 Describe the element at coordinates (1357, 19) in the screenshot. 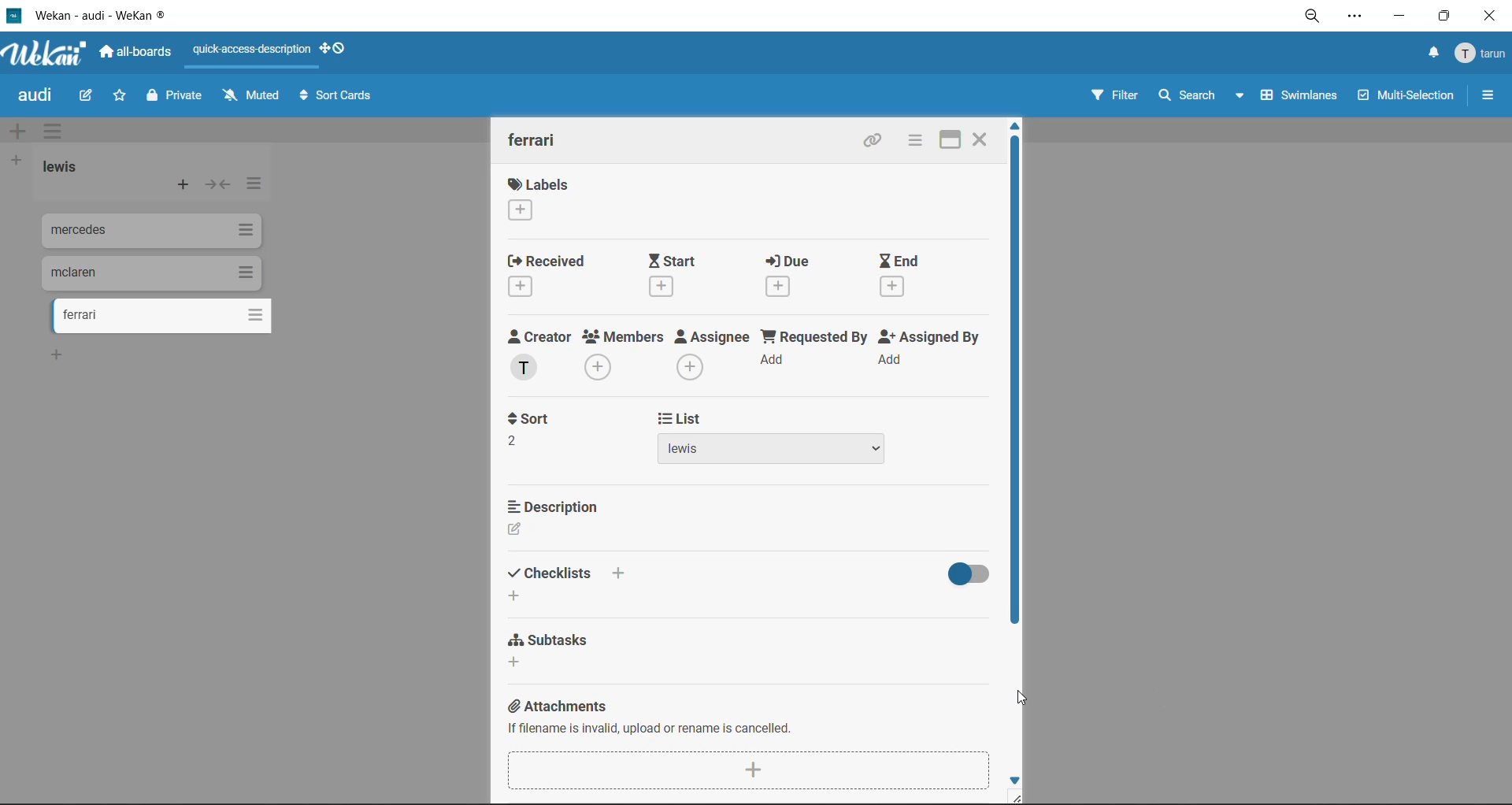

I see `settings` at that location.